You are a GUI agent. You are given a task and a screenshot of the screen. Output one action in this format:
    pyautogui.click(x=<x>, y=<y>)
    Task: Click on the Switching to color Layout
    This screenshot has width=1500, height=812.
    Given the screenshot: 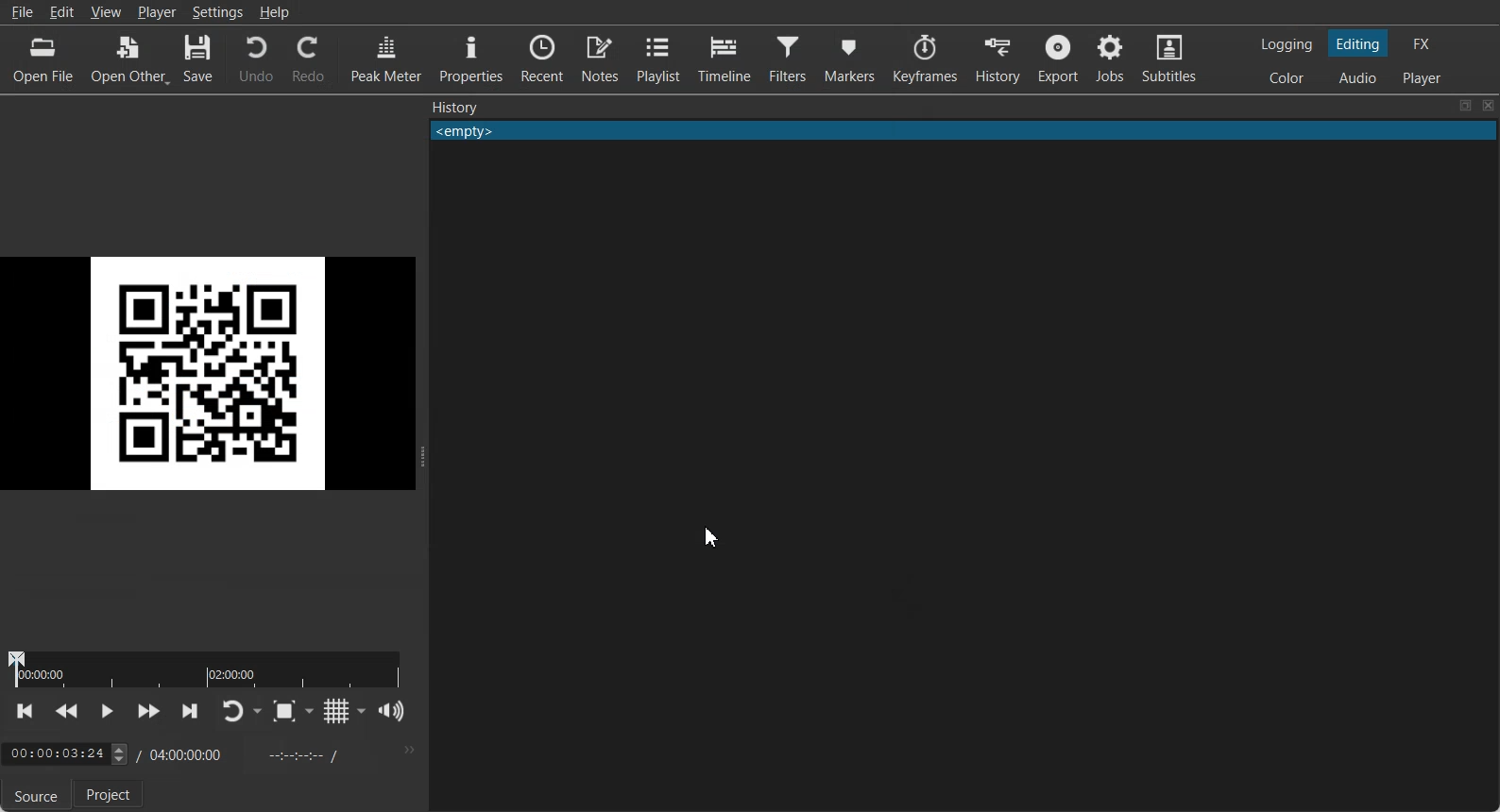 What is the action you would take?
    pyautogui.click(x=1287, y=78)
    